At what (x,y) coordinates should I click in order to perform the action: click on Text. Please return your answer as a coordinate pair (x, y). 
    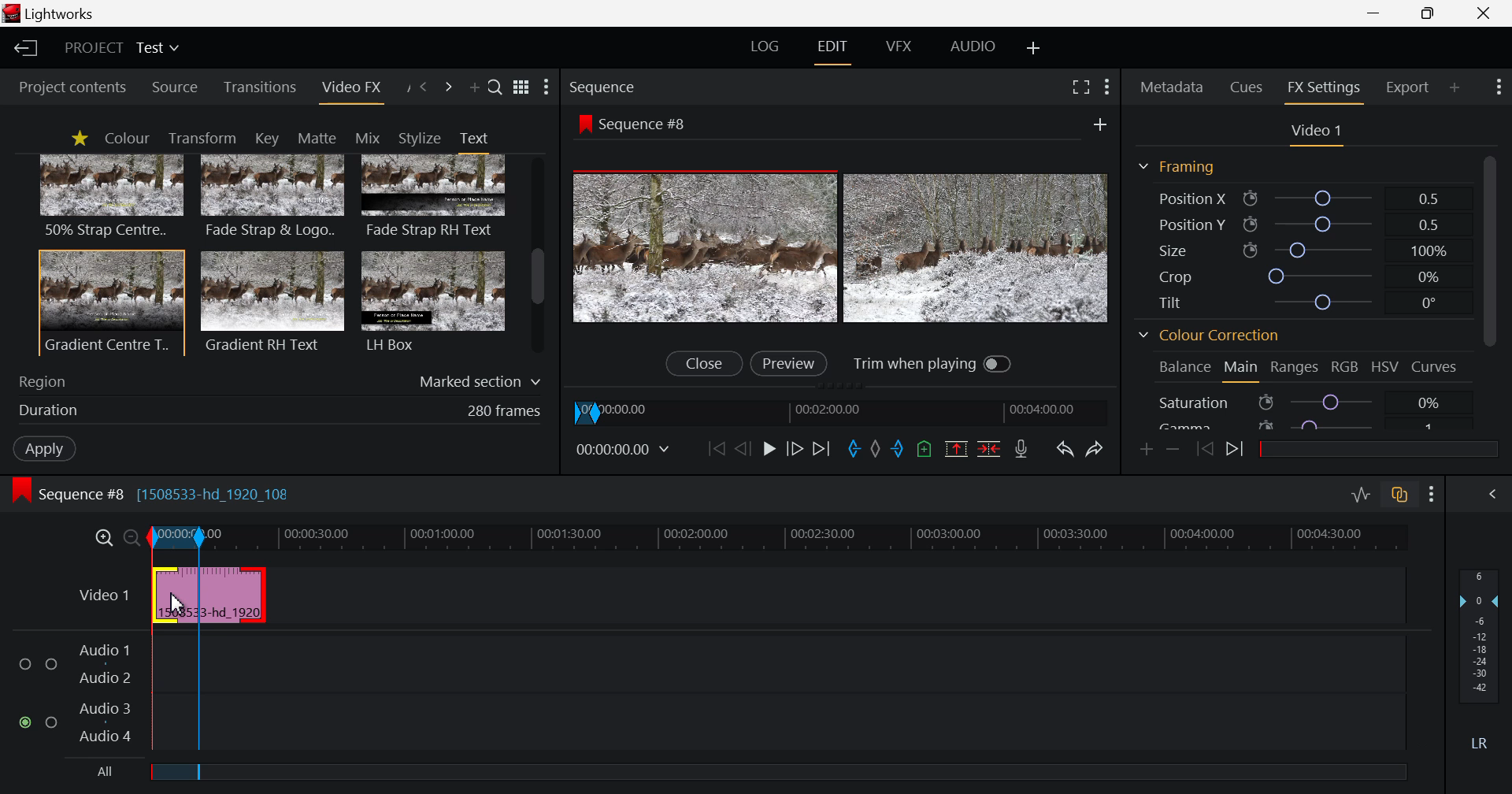
    Looking at the image, I should click on (473, 138).